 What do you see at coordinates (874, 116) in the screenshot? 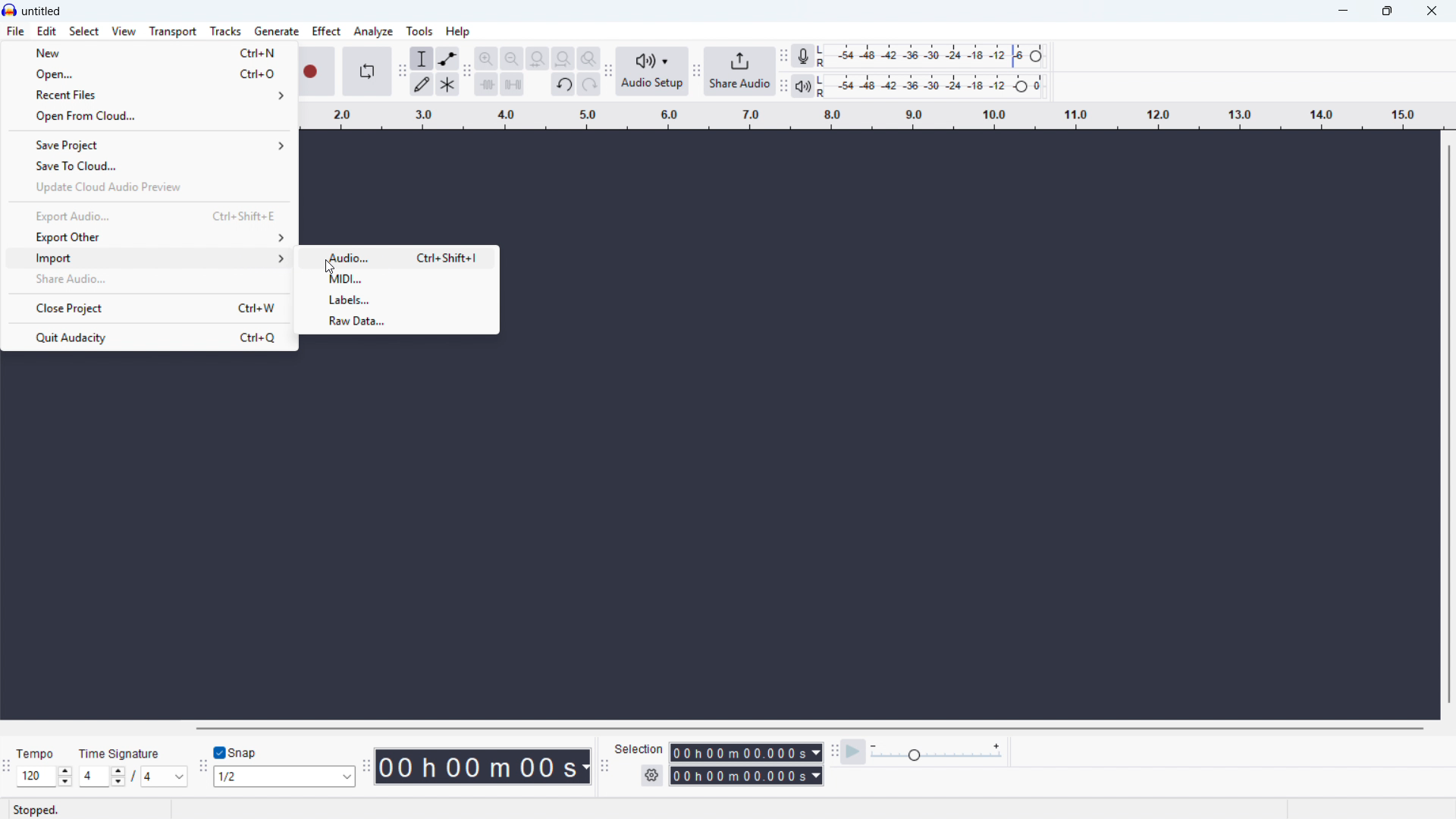
I see `Timeline ` at bounding box center [874, 116].